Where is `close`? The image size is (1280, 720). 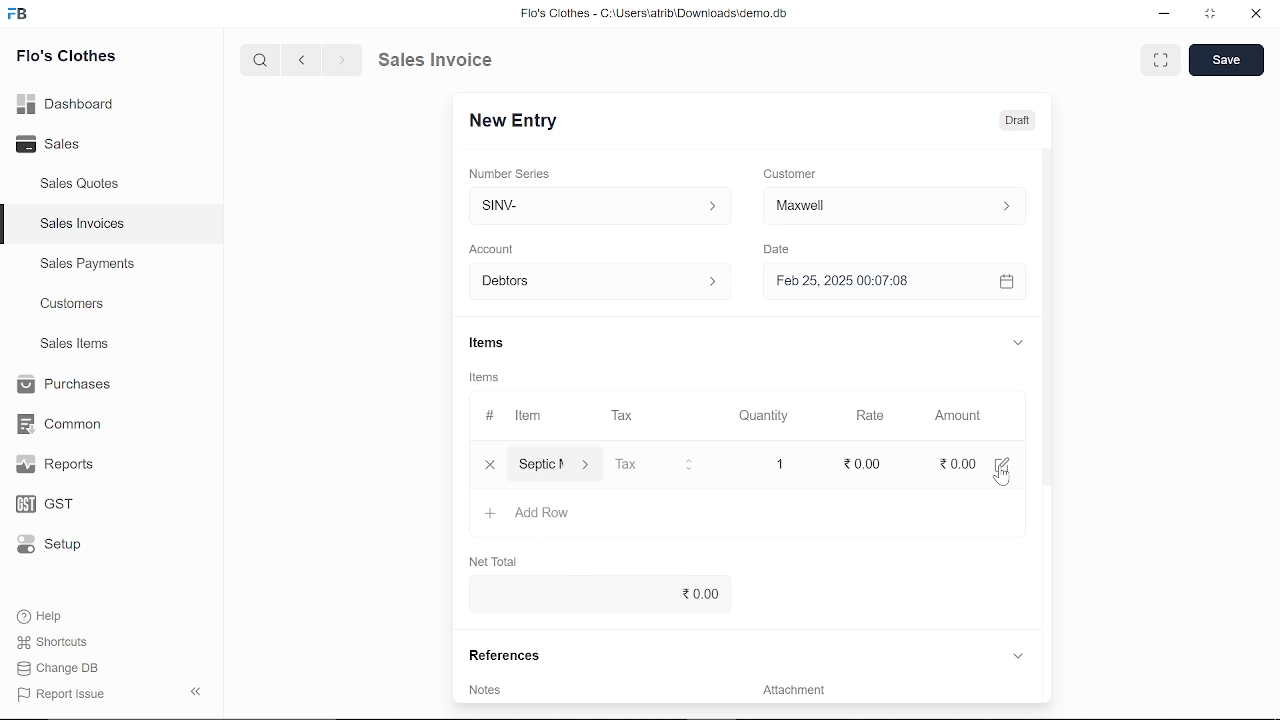 close is located at coordinates (1254, 12).